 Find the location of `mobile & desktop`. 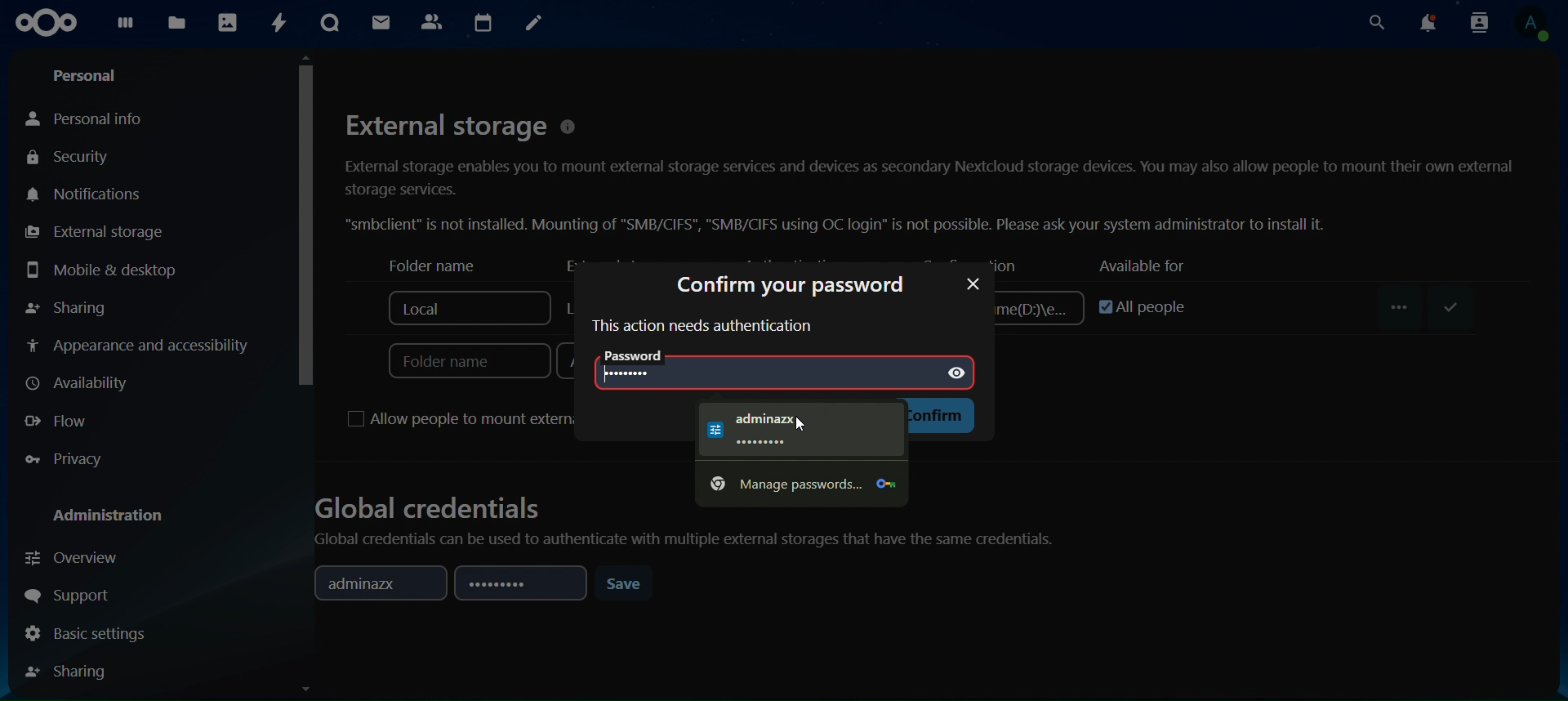

mobile & desktop is located at coordinates (101, 269).